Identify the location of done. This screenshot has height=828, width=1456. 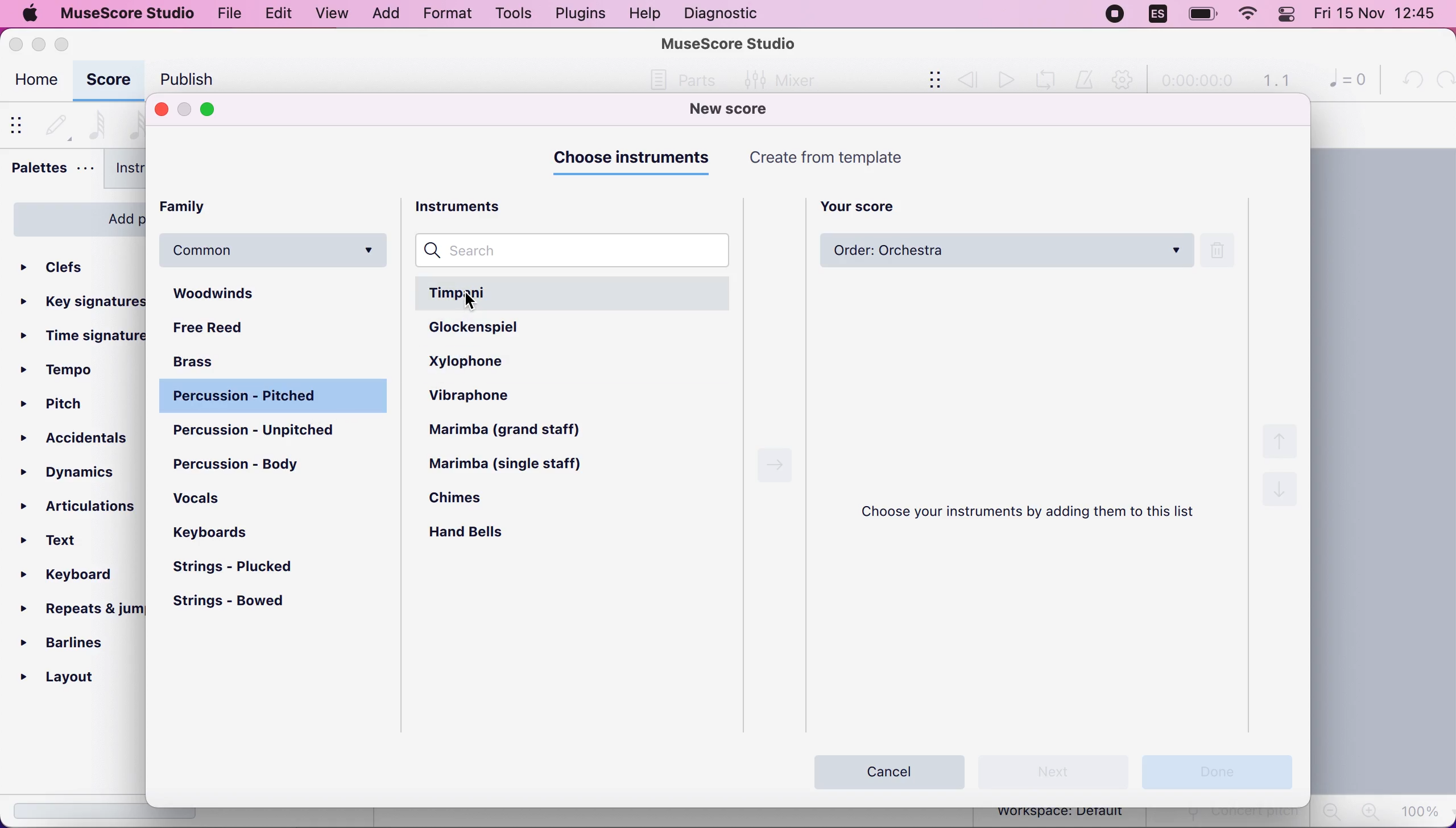
(1215, 769).